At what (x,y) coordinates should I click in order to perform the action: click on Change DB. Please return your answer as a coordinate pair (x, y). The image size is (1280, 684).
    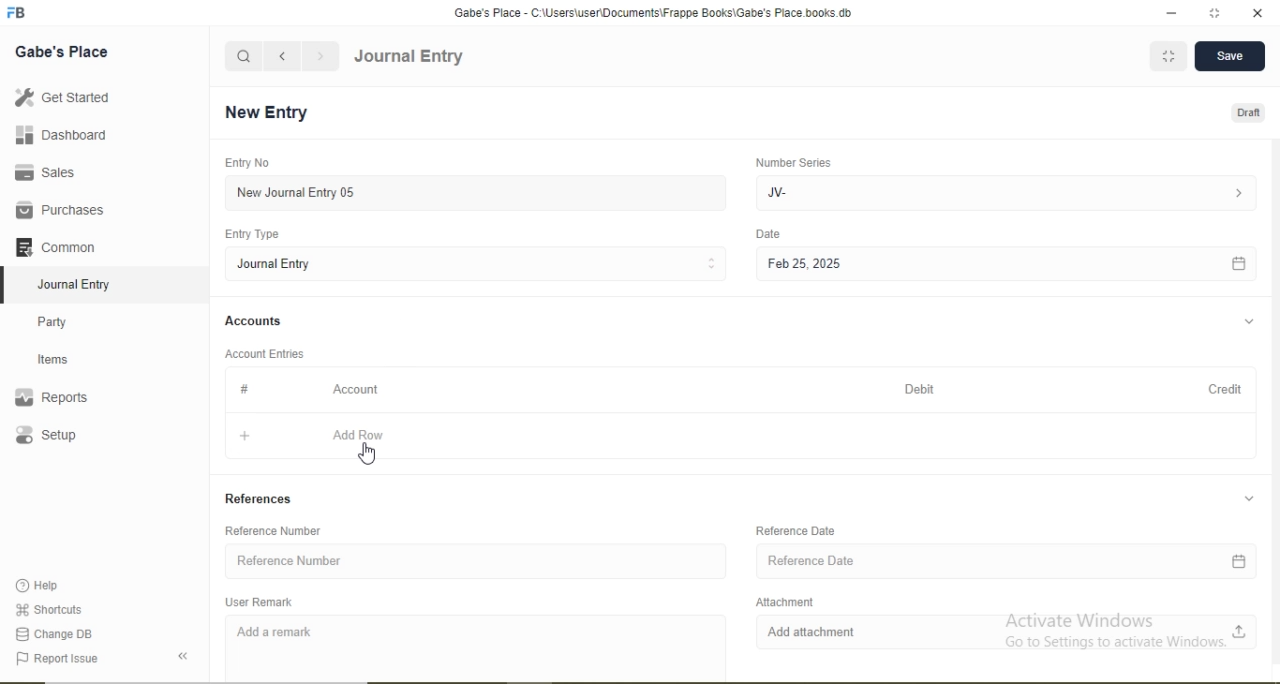
    Looking at the image, I should click on (55, 633).